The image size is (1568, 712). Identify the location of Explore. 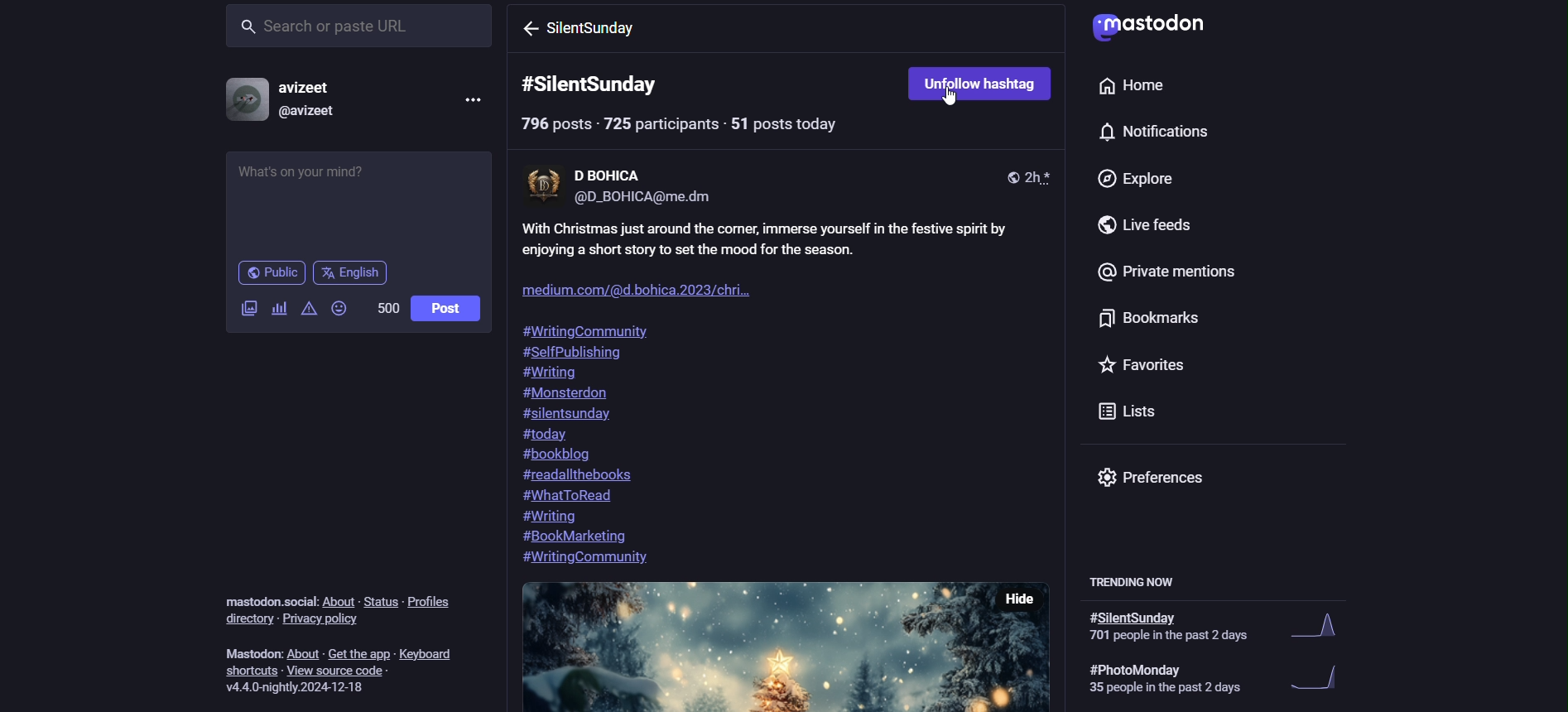
(1133, 180).